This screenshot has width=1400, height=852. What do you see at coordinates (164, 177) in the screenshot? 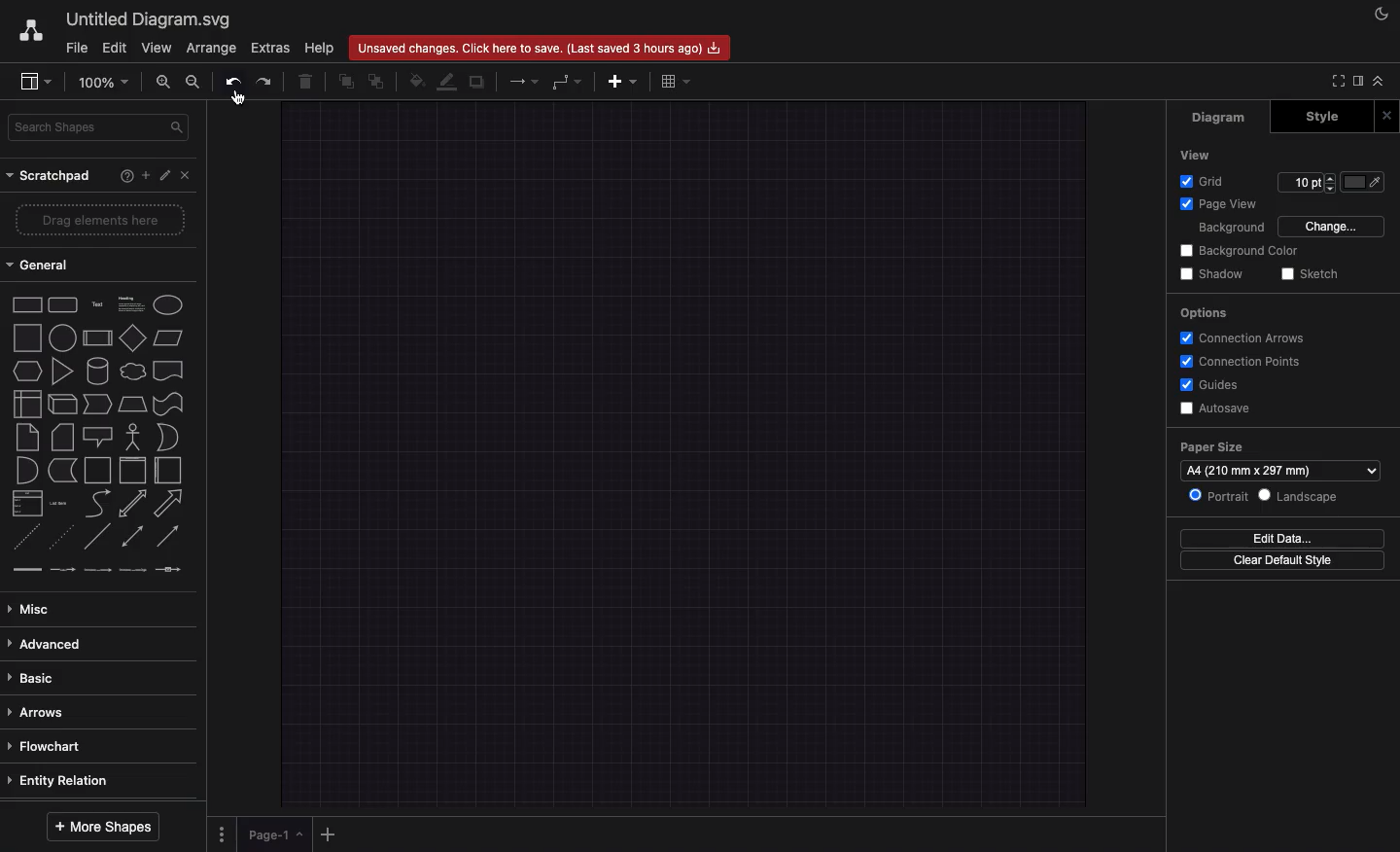
I see `Edit` at bounding box center [164, 177].